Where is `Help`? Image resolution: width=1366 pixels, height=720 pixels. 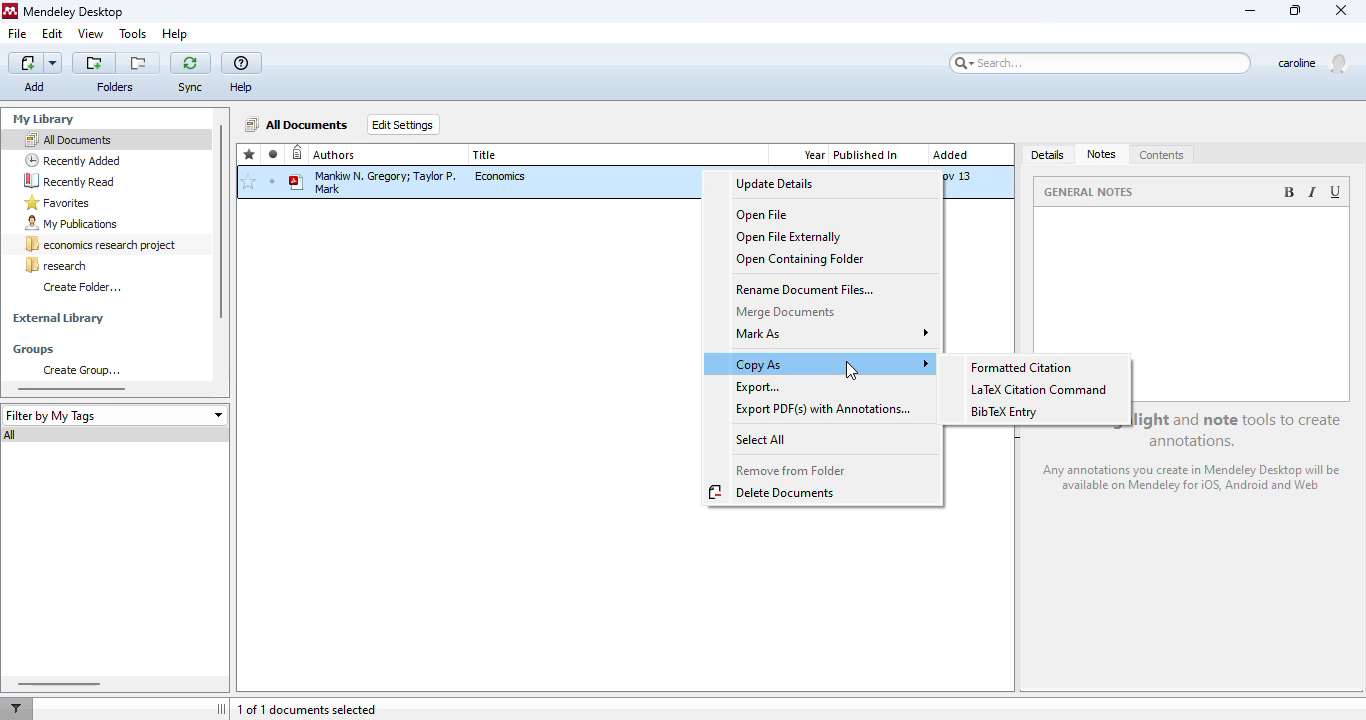
Help is located at coordinates (245, 87).